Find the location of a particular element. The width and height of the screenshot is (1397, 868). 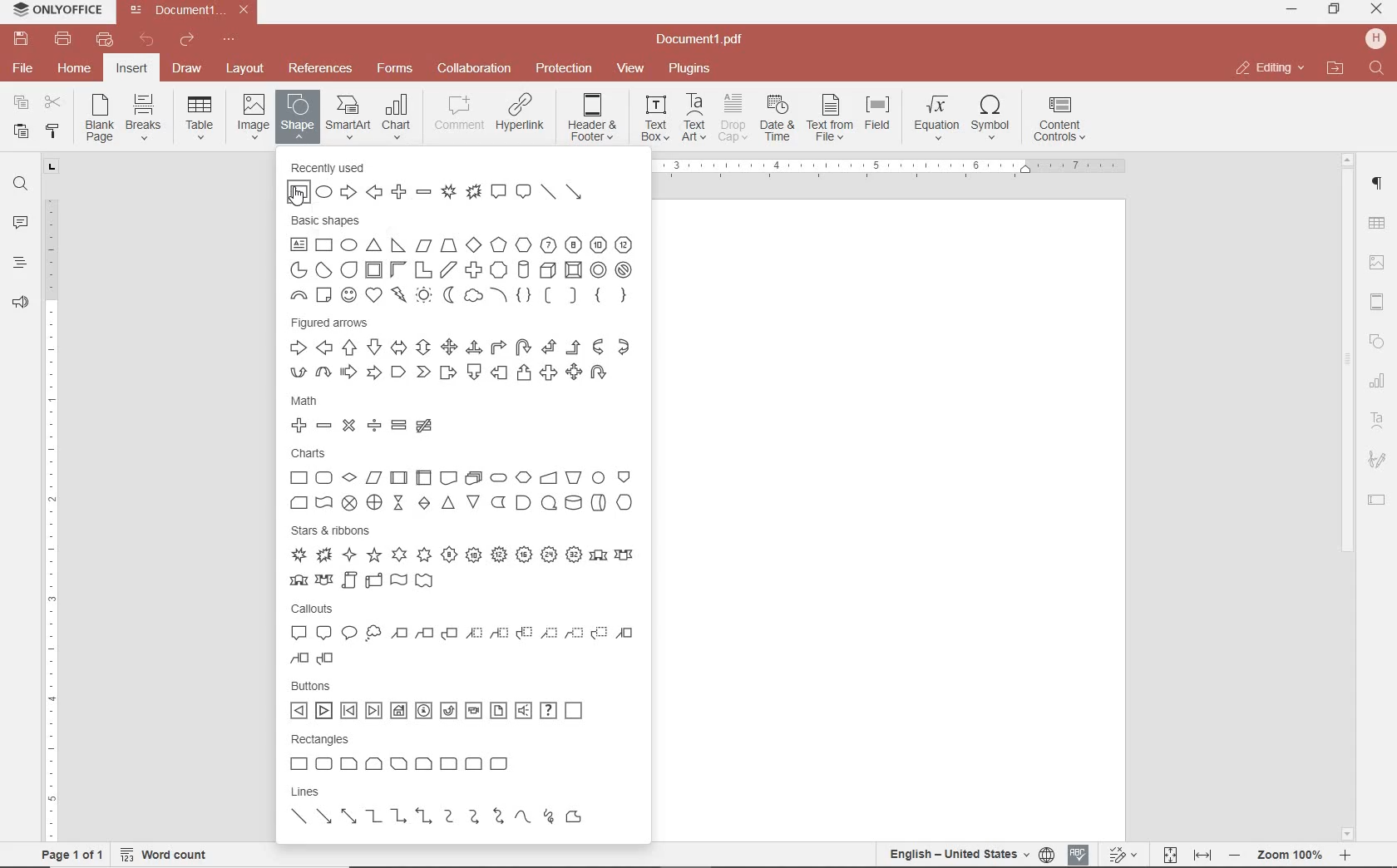

INSERT SYMBOL is located at coordinates (990, 116).